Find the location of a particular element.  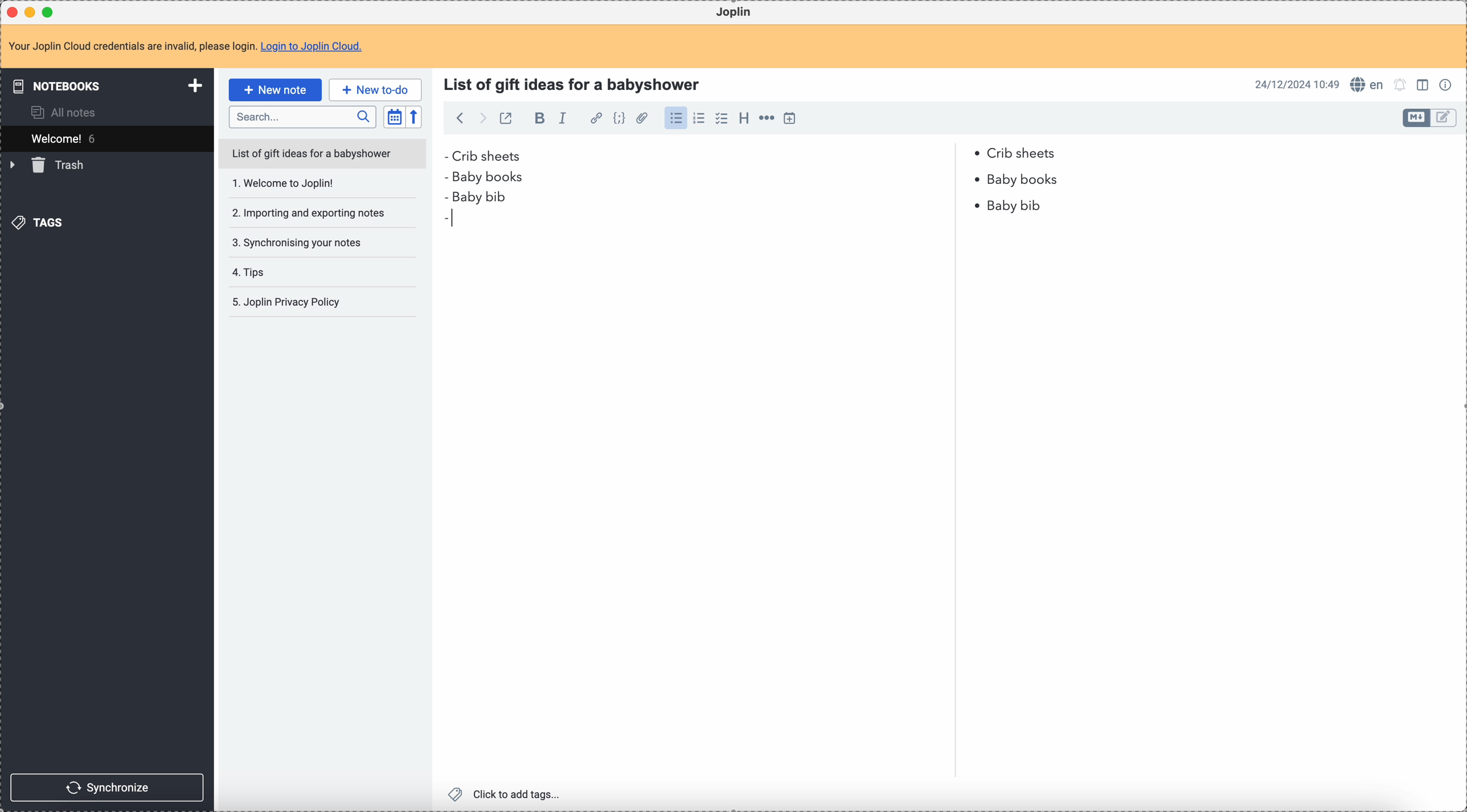

search bar is located at coordinates (302, 117).